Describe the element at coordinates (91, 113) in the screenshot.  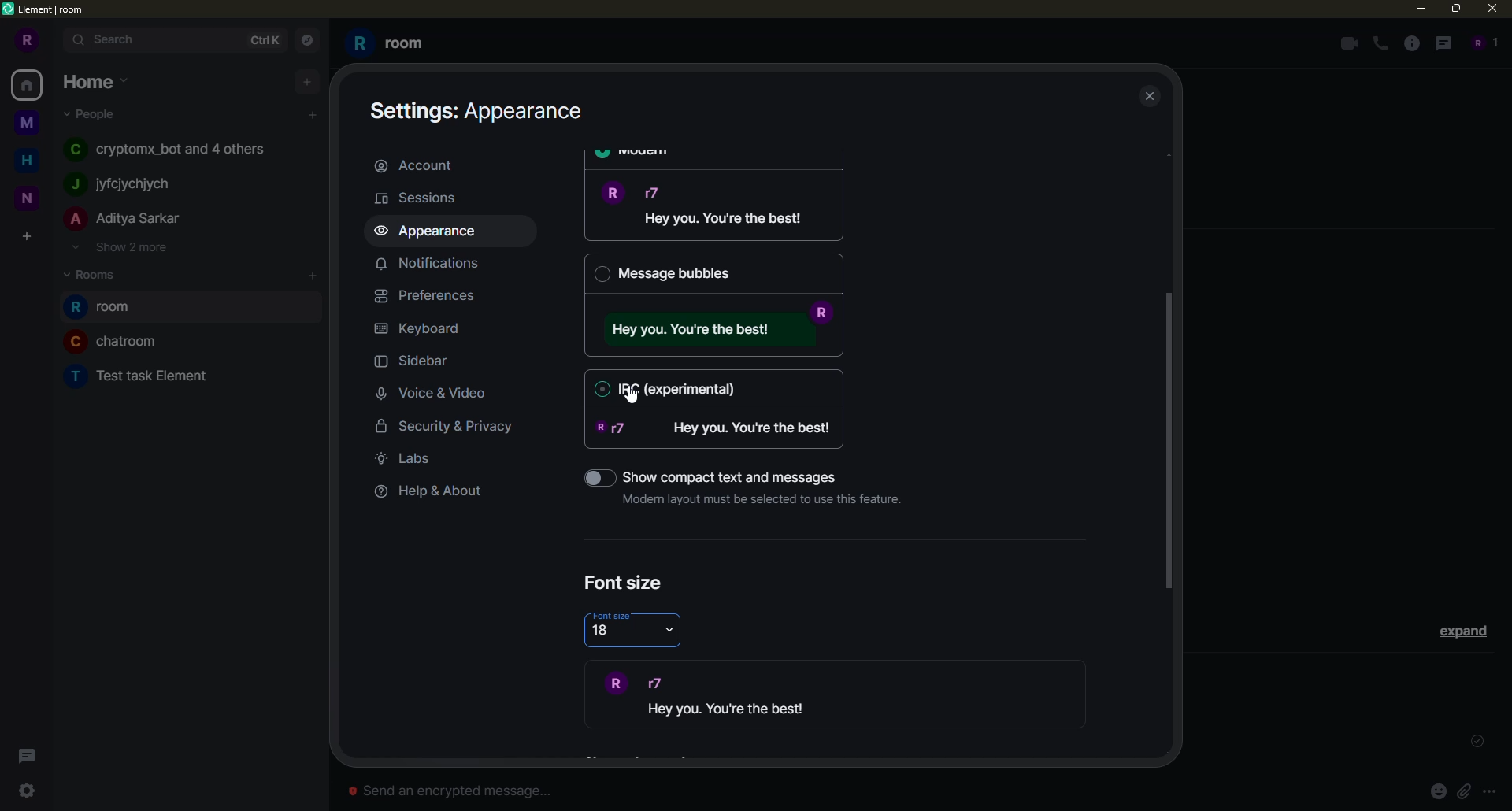
I see `people` at that location.